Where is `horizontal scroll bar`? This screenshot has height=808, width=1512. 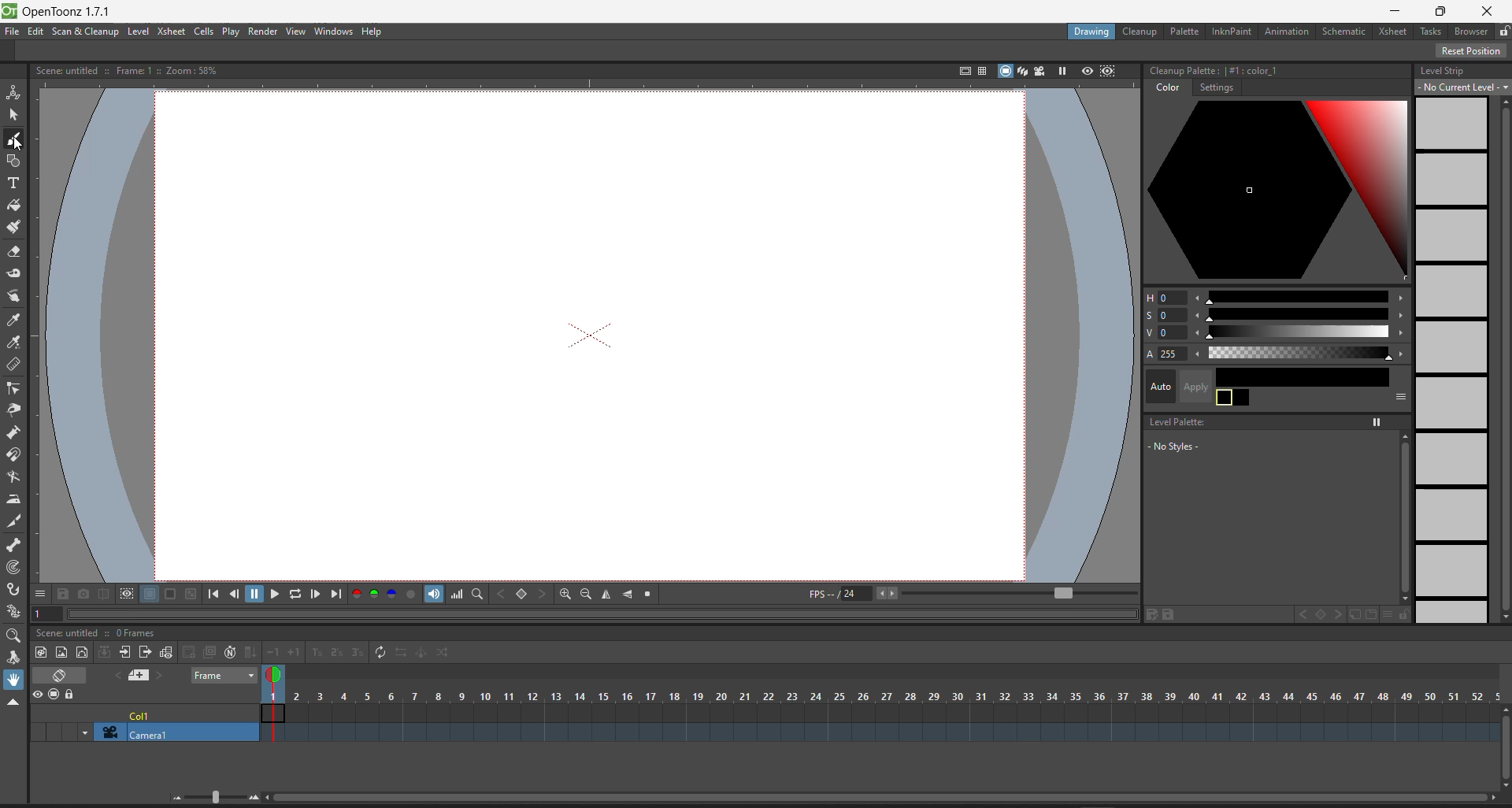 horizontal scroll bar is located at coordinates (880, 800).